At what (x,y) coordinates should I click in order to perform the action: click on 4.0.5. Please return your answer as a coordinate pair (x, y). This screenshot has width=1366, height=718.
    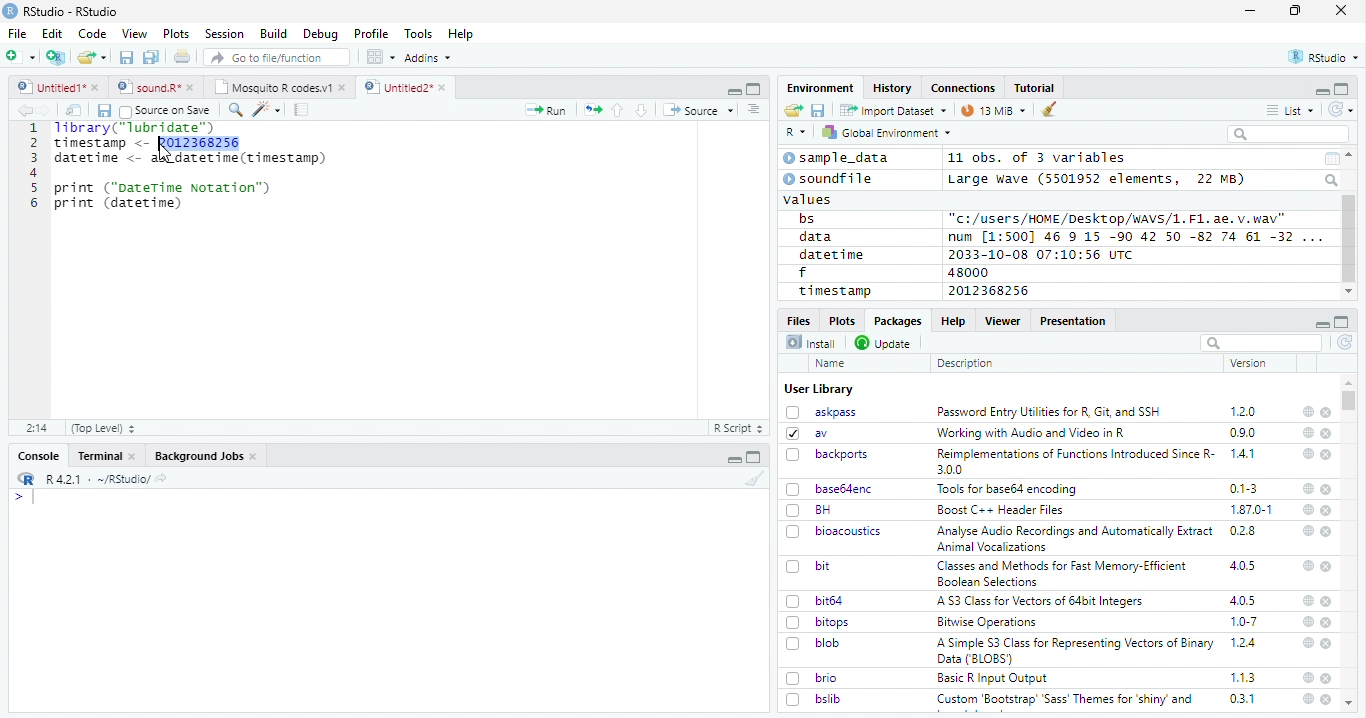
    Looking at the image, I should click on (1242, 566).